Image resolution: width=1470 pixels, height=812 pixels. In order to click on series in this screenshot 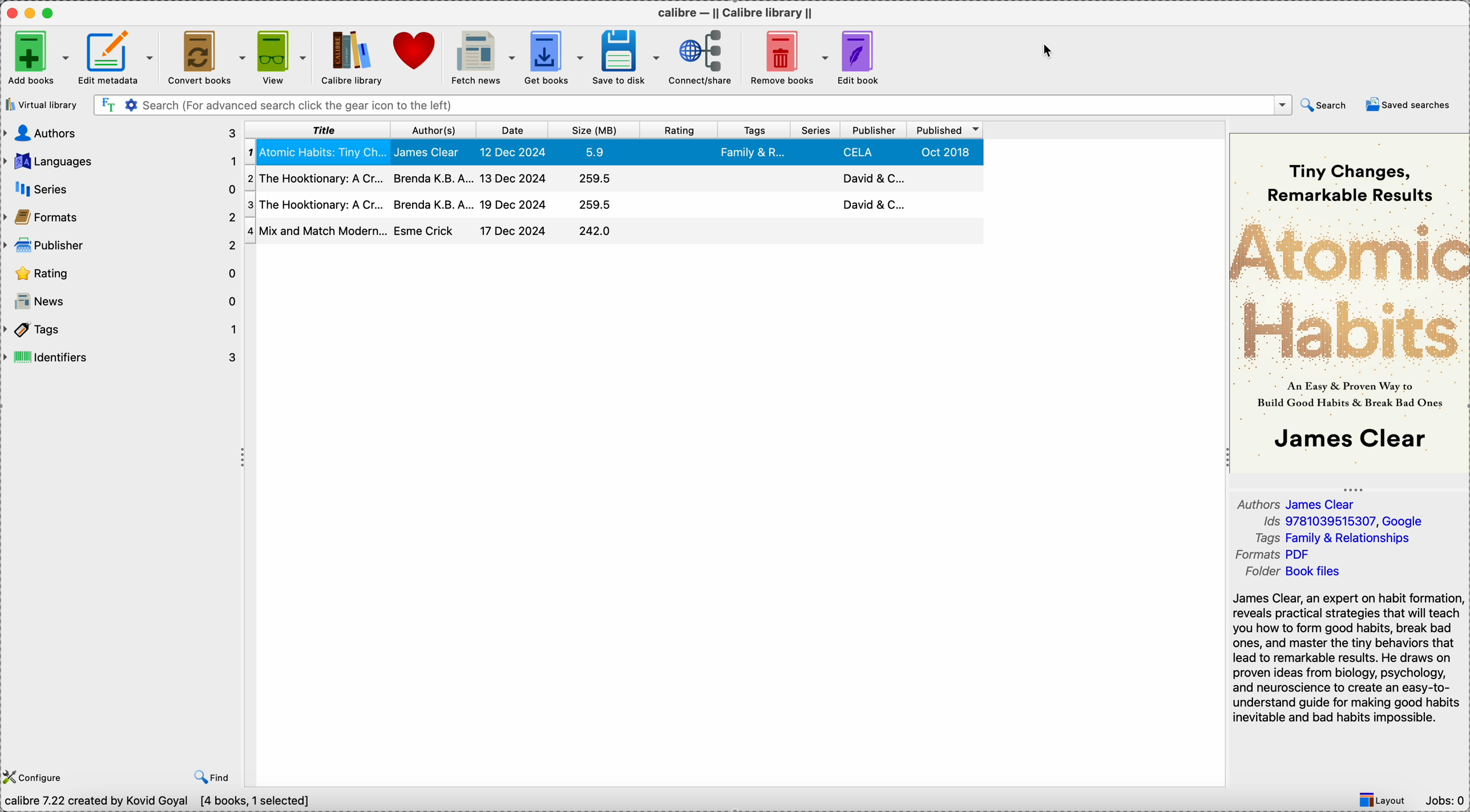, I will do `click(814, 131)`.